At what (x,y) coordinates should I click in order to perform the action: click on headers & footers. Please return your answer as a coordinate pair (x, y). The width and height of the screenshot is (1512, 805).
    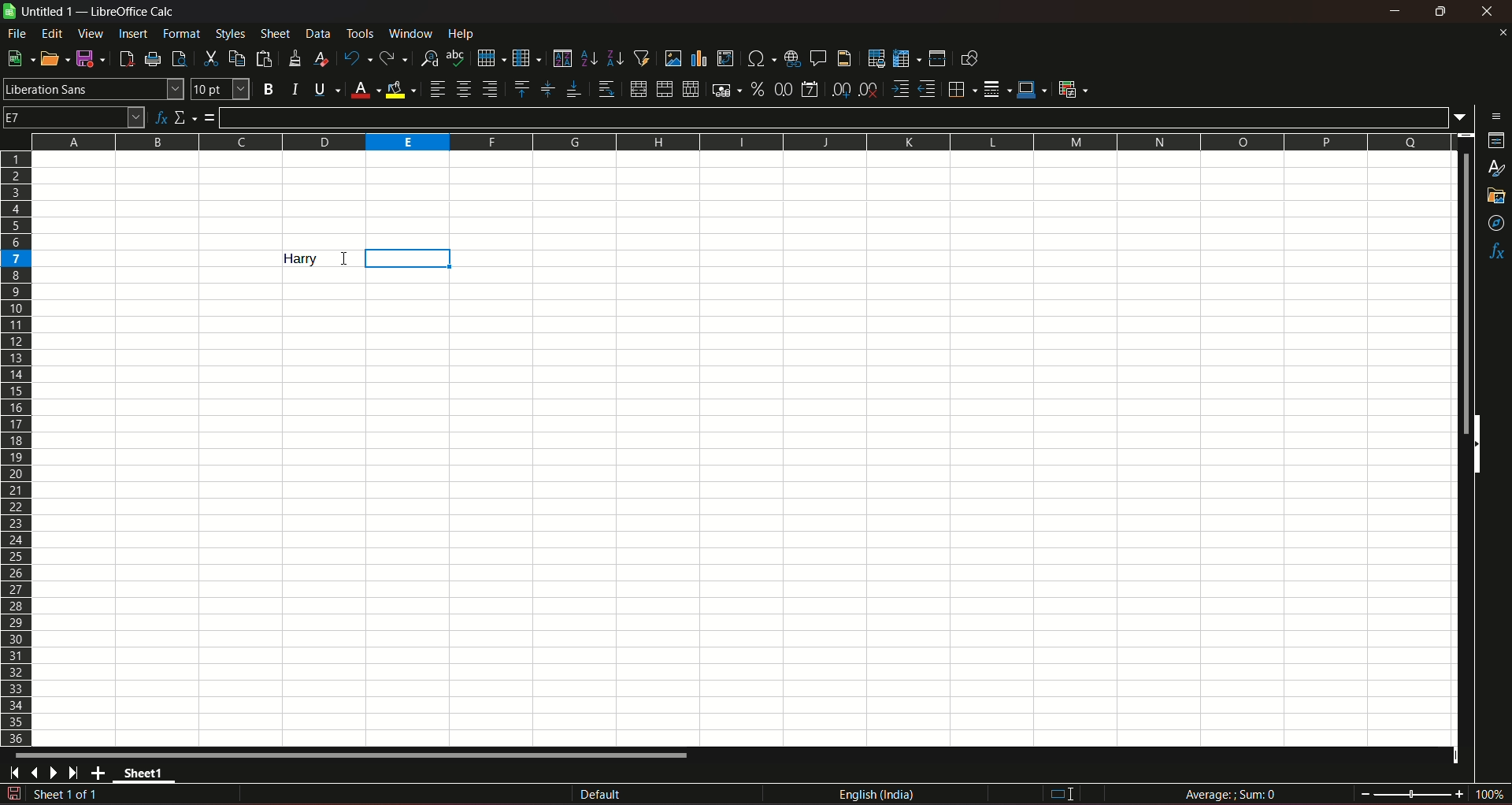
    Looking at the image, I should click on (843, 57).